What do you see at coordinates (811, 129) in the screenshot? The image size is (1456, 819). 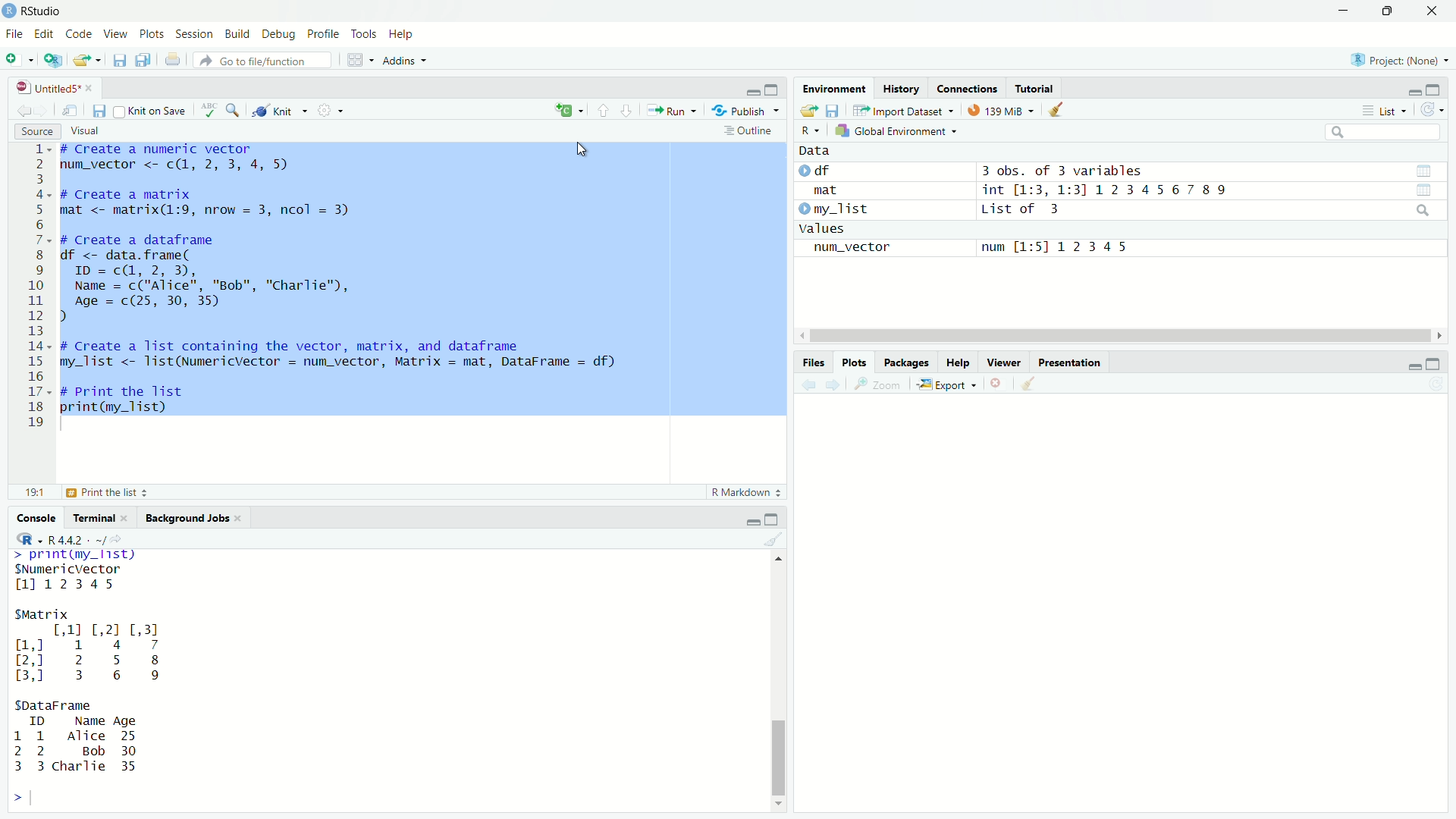 I see `R~` at bounding box center [811, 129].